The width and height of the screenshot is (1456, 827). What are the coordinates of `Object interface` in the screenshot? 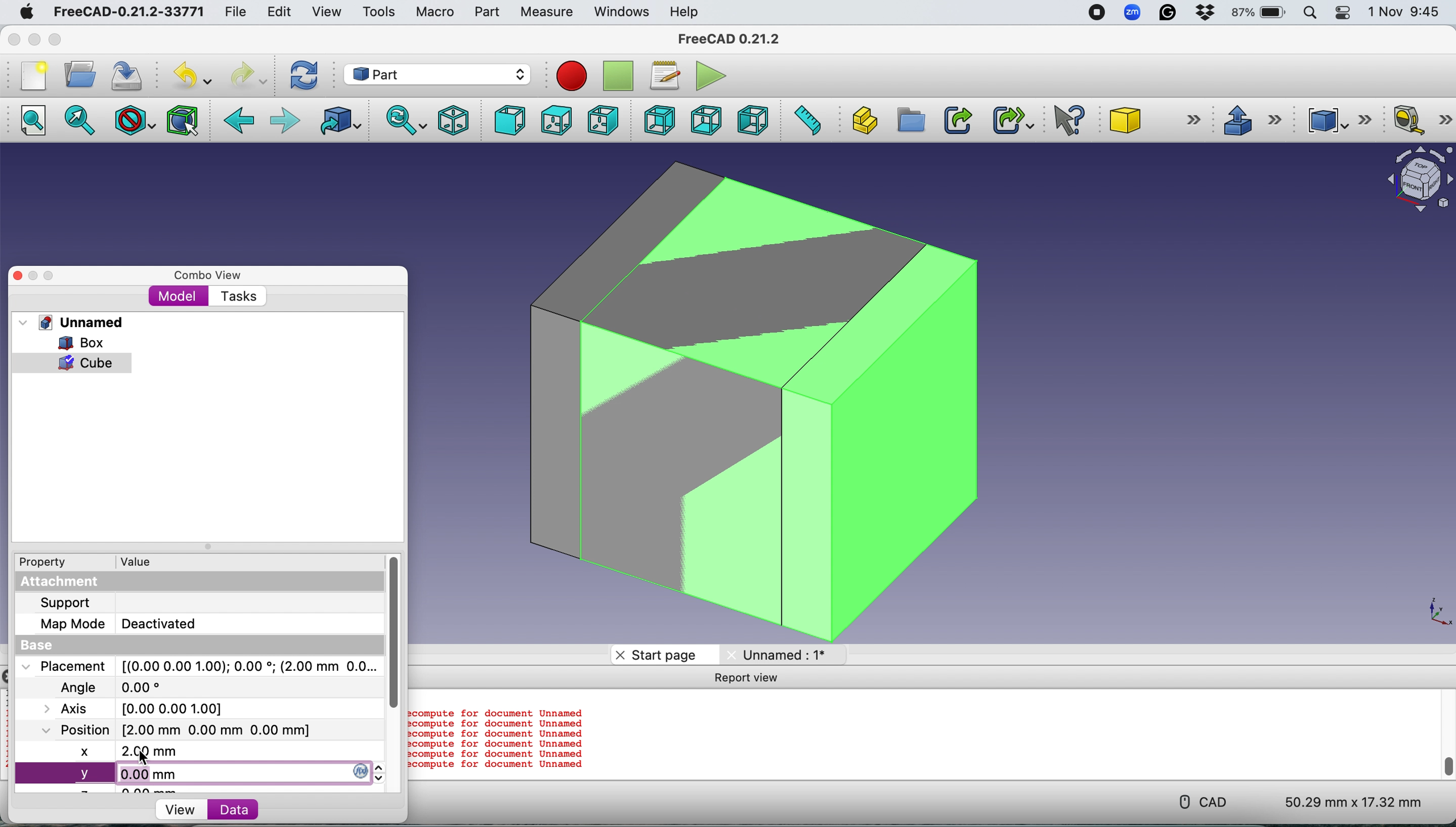 It's located at (1414, 181).